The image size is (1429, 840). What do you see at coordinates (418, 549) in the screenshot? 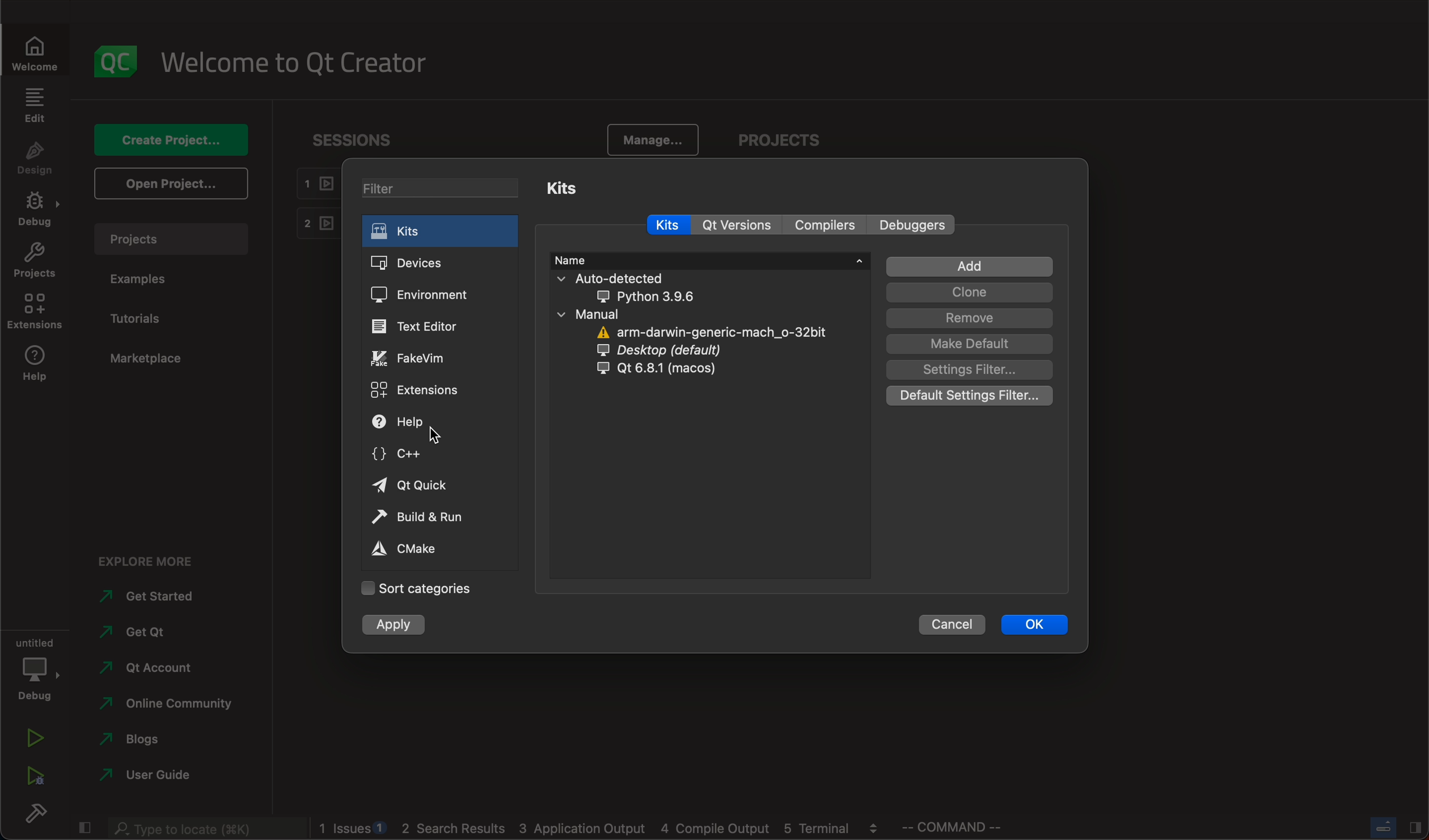
I see `cmake` at bounding box center [418, 549].